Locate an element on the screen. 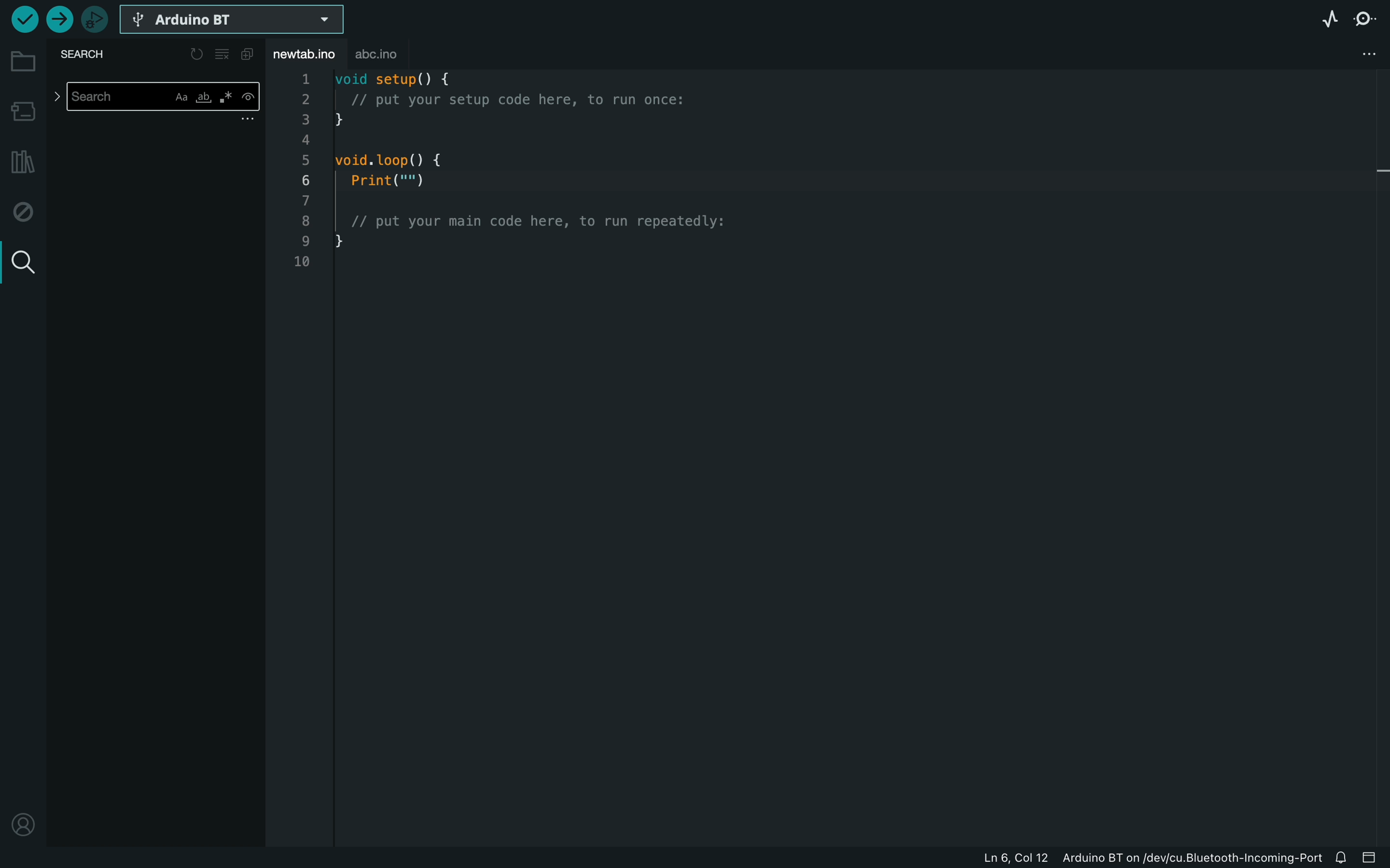  copy is located at coordinates (249, 55).